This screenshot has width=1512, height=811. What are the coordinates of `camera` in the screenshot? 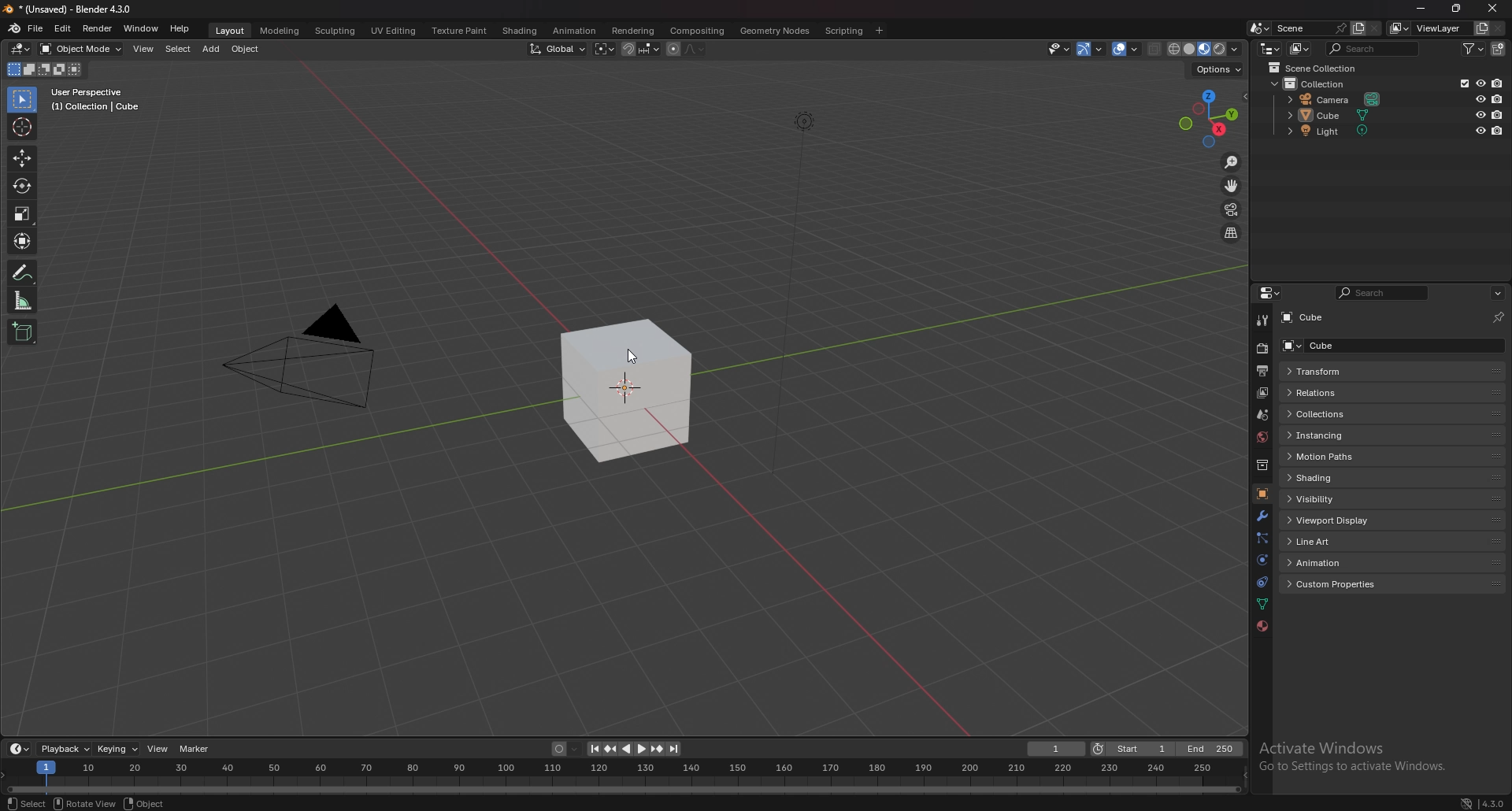 It's located at (1336, 100).